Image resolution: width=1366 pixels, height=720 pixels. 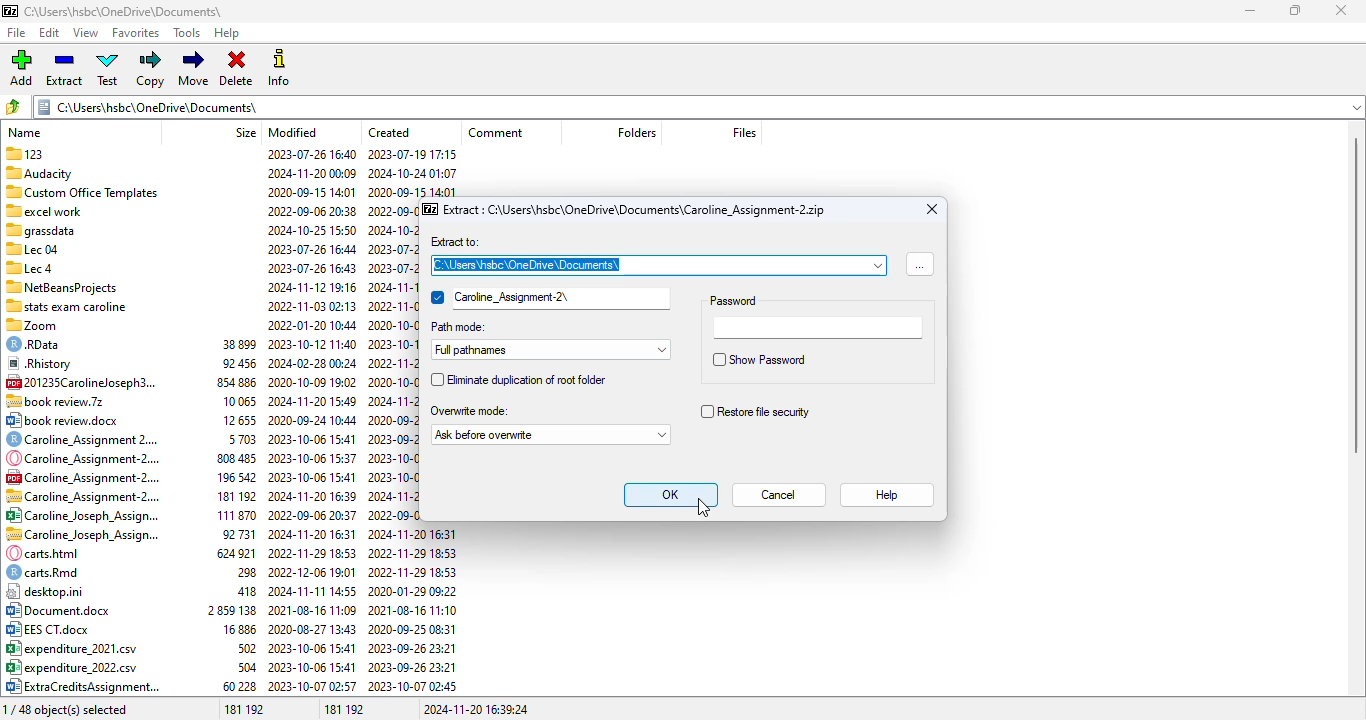 I want to click on OK, so click(x=670, y=494).